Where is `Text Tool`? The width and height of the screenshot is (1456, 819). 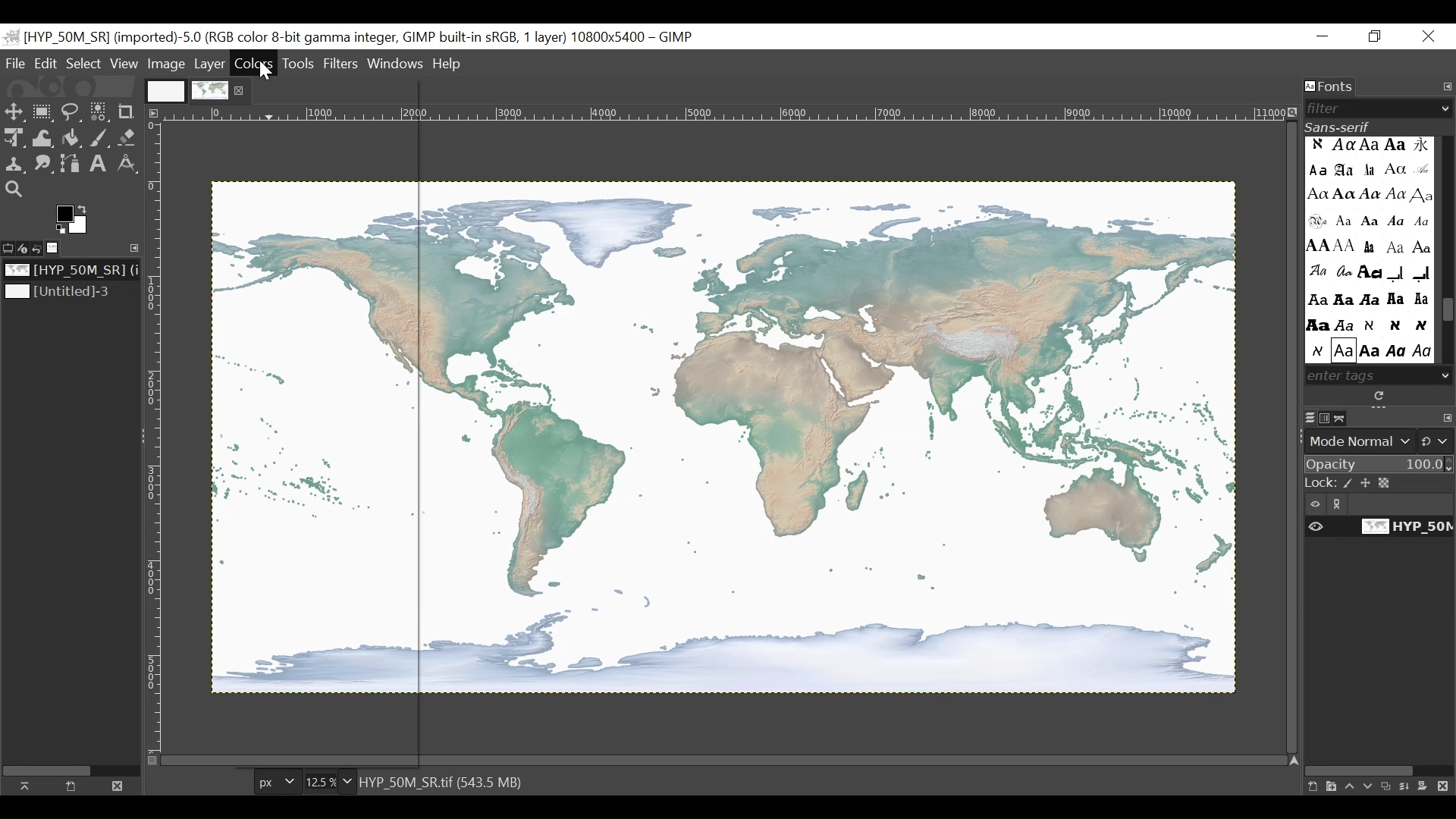 Text Tool is located at coordinates (99, 165).